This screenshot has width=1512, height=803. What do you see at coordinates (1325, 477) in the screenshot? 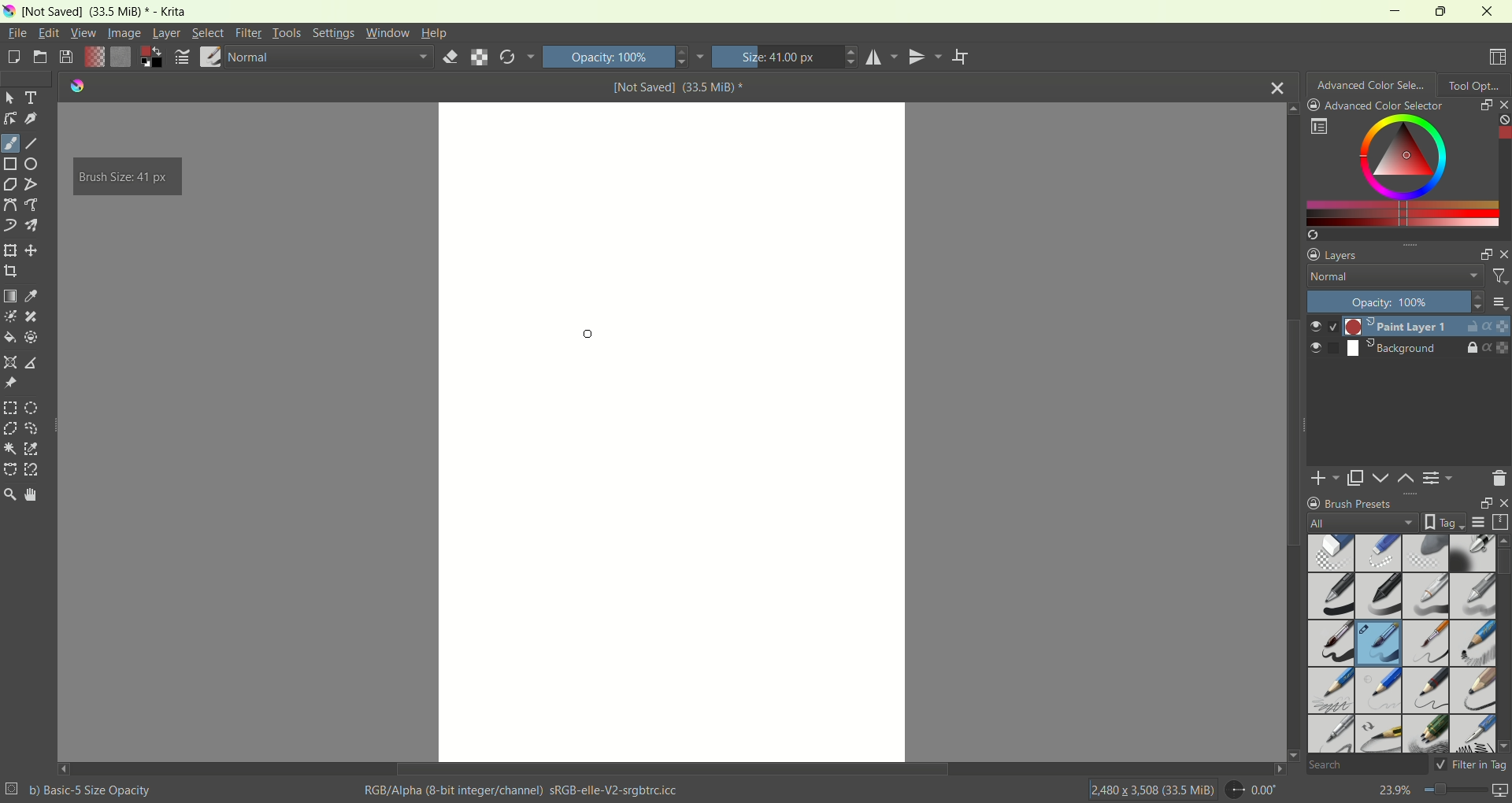
I see `add` at bounding box center [1325, 477].